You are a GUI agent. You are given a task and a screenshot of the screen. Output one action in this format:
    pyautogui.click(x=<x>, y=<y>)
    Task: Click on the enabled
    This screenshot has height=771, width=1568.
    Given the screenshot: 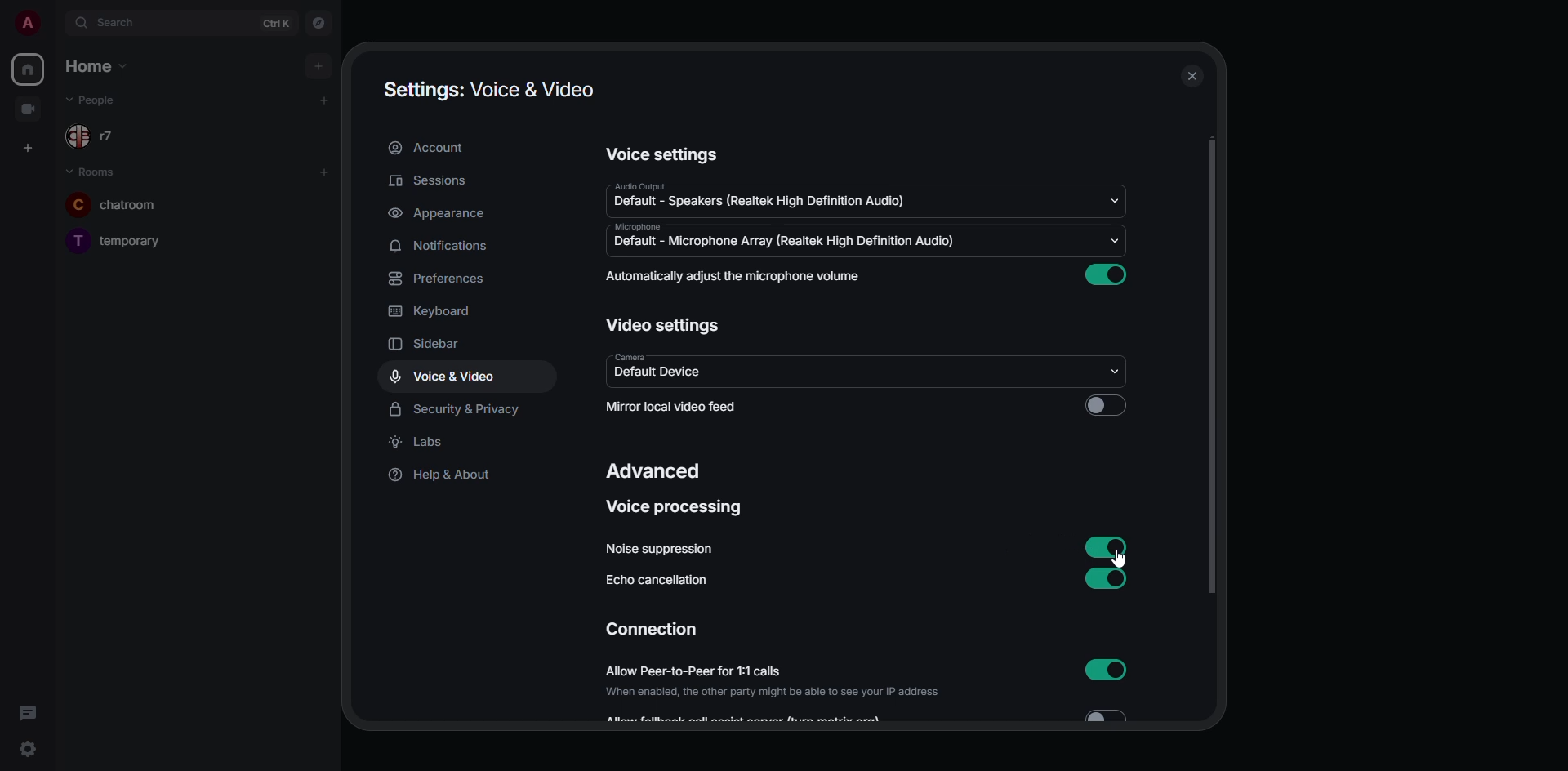 What is the action you would take?
    pyautogui.click(x=1106, y=671)
    